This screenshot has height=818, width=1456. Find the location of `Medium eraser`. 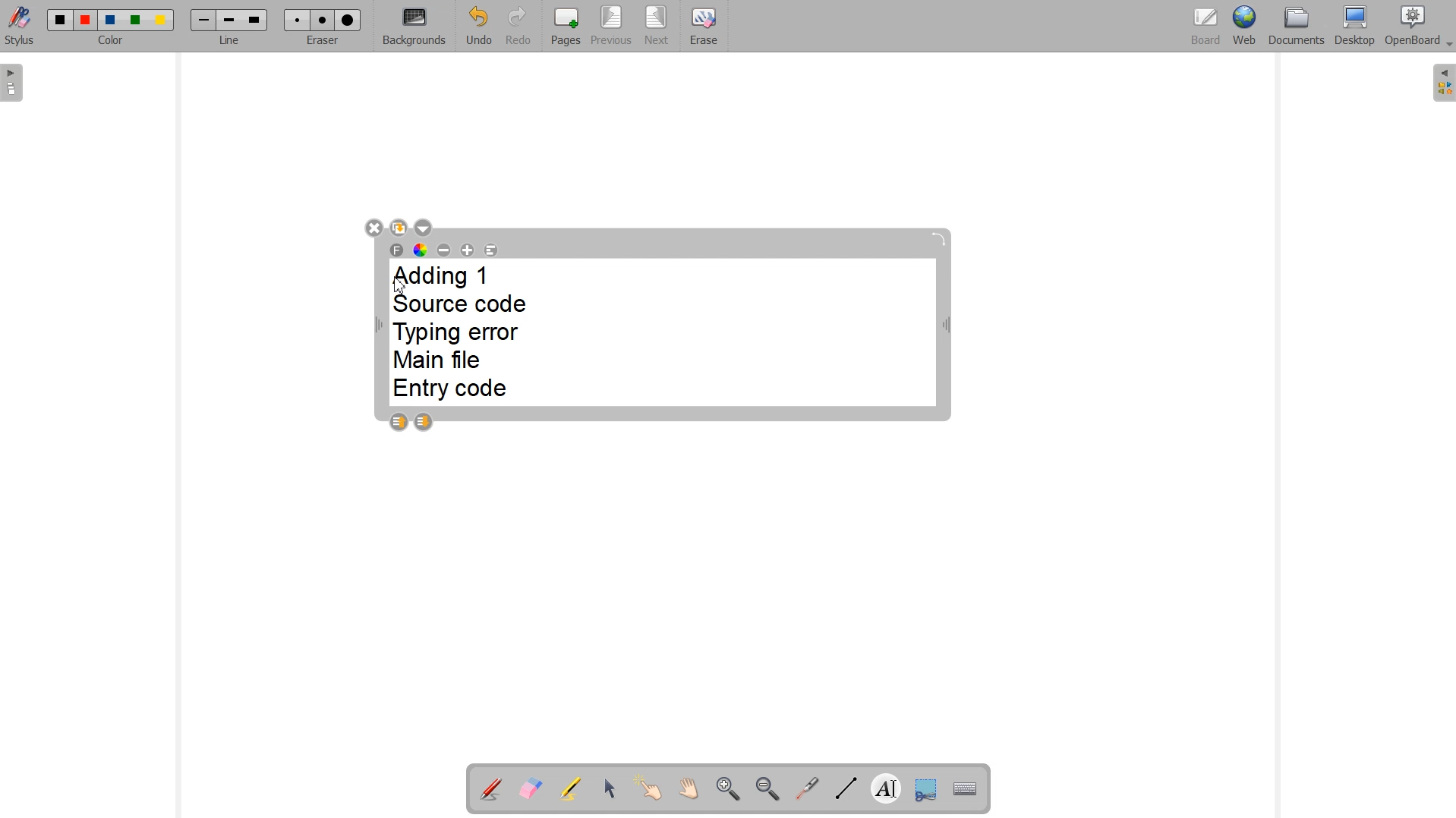

Medium eraser is located at coordinates (323, 20).